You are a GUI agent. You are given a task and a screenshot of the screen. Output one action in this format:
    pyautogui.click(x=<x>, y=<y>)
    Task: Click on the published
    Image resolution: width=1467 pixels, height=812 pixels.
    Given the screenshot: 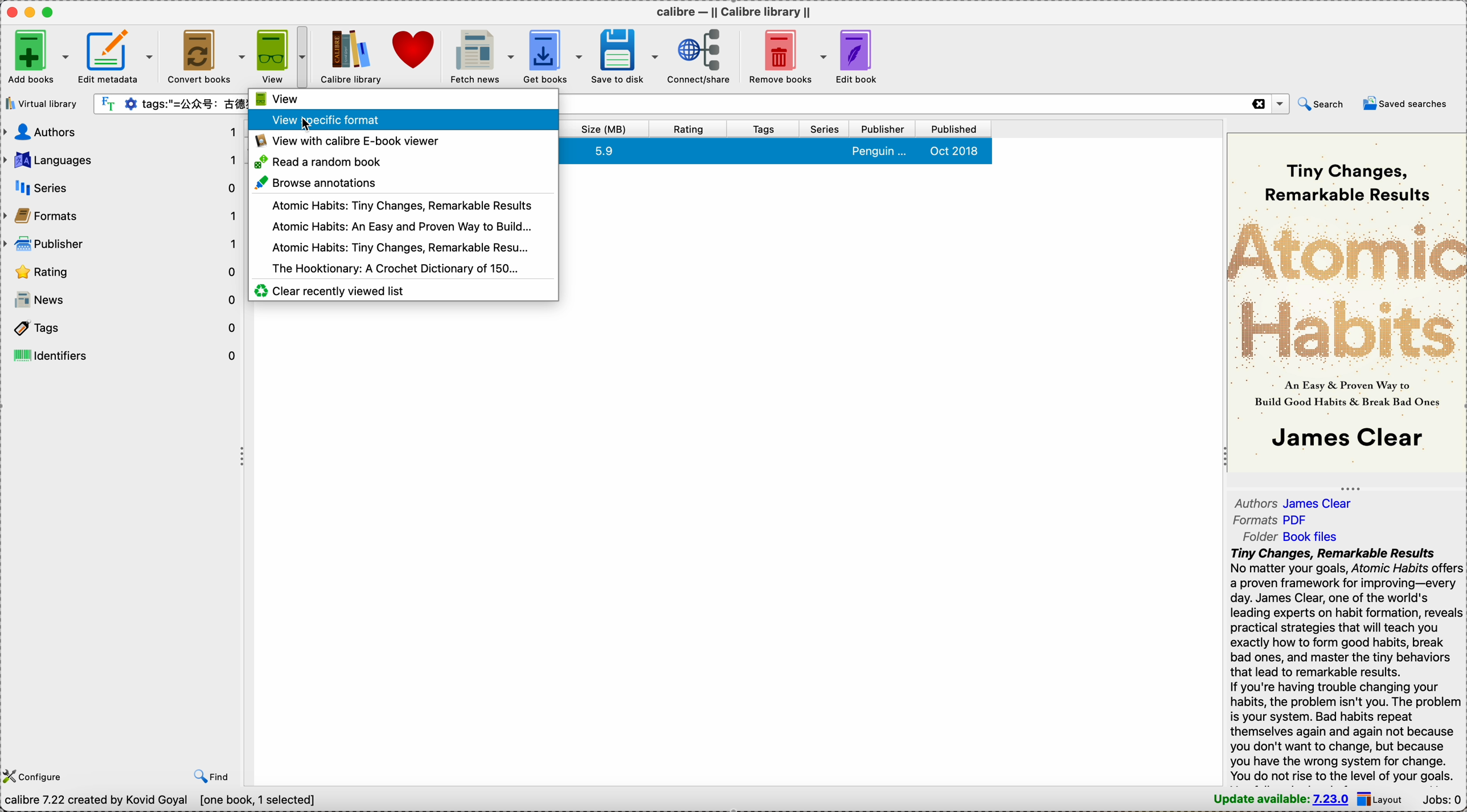 What is the action you would take?
    pyautogui.click(x=956, y=129)
    